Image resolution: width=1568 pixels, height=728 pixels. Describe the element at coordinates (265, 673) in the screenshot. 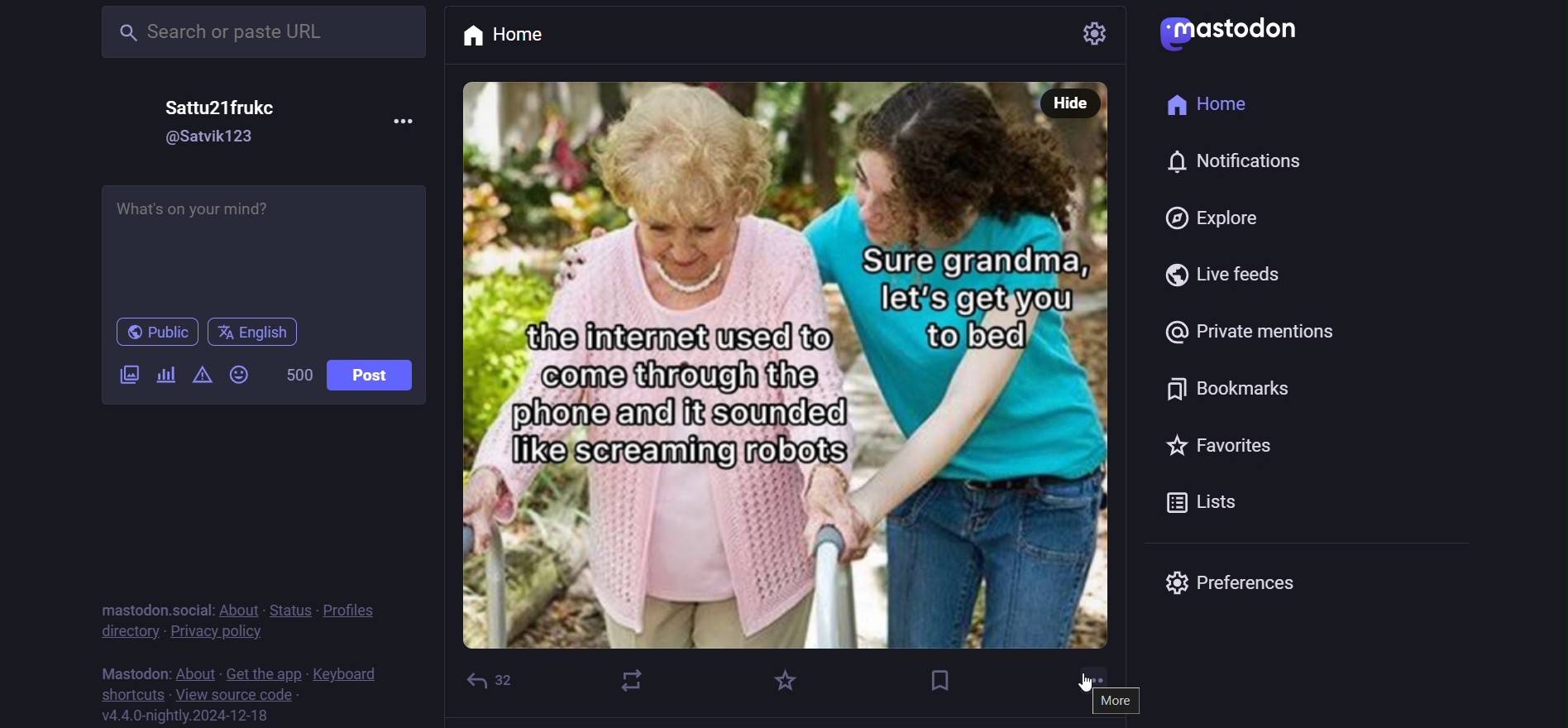

I see `get the app` at that location.